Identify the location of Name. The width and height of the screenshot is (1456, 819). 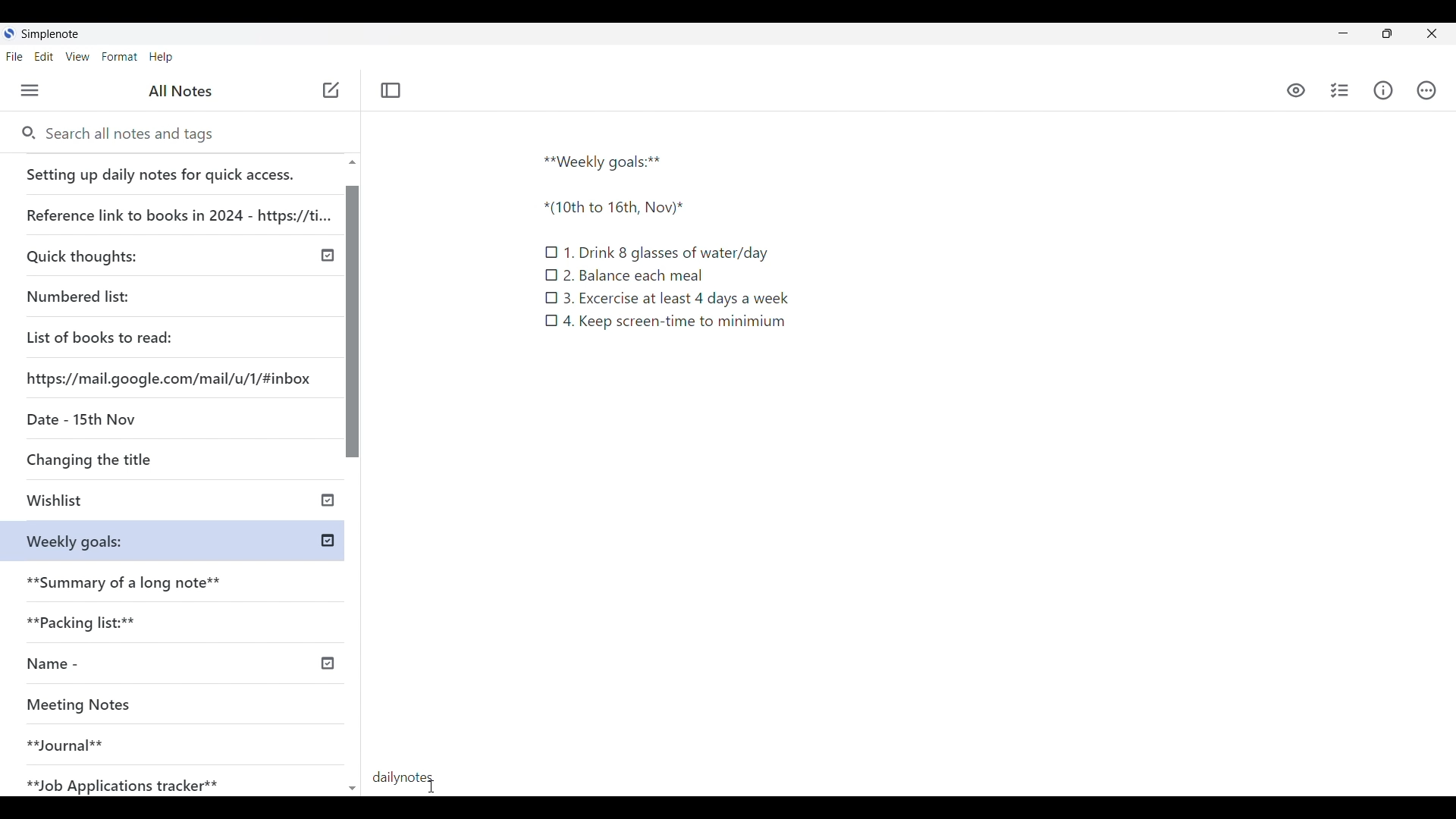
(108, 664).